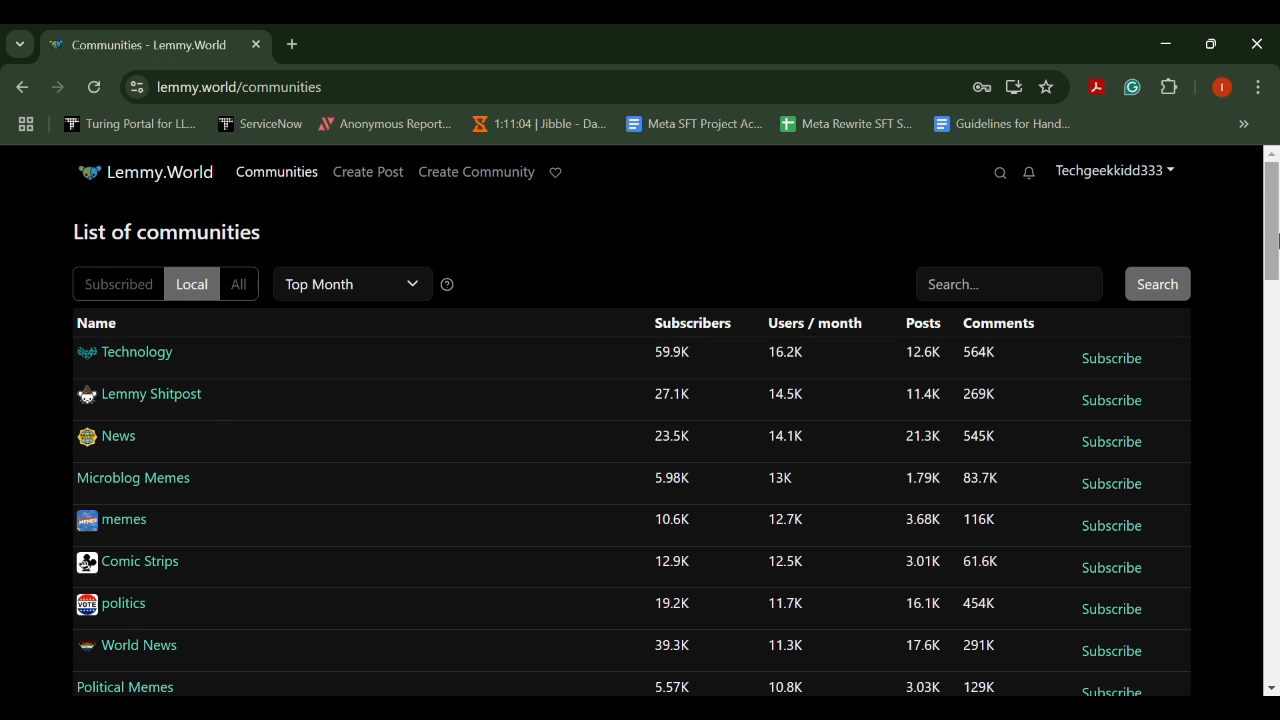 The height and width of the screenshot is (720, 1280). I want to click on 291, so click(982, 646).